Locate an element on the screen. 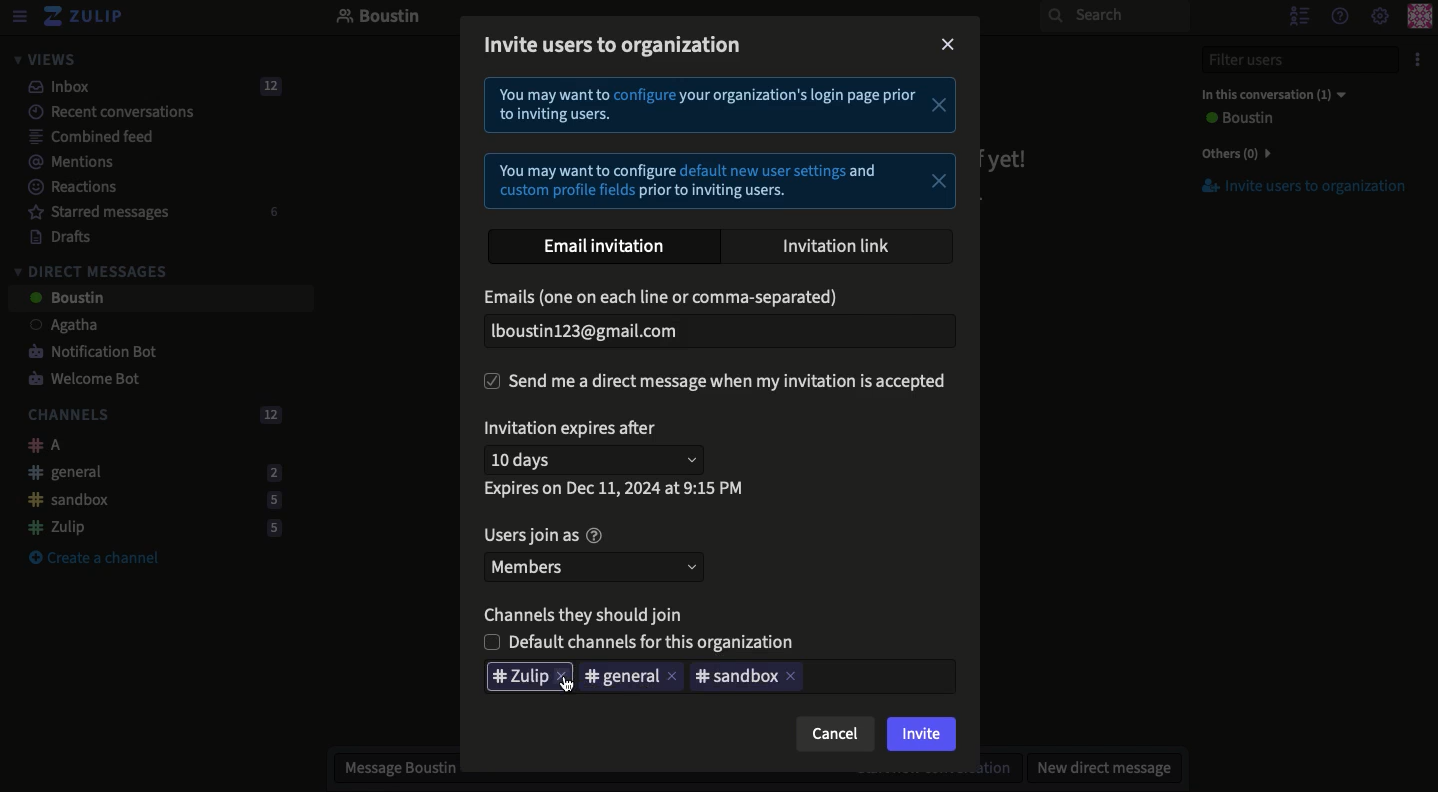 The width and height of the screenshot is (1438, 792). general is located at coordinates (623, 678).